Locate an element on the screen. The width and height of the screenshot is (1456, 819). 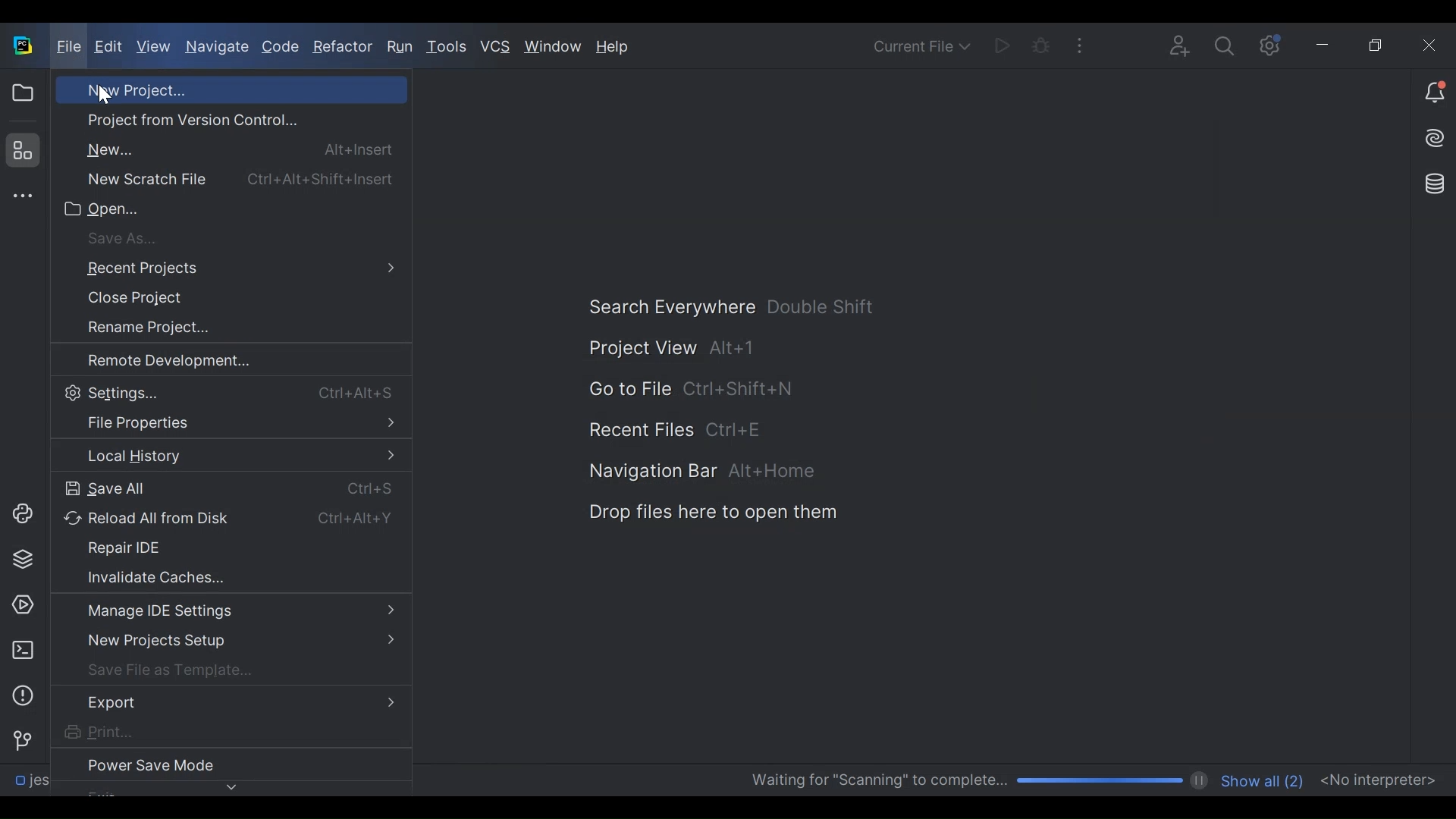
Refractor is located at coordinates (342, 48).